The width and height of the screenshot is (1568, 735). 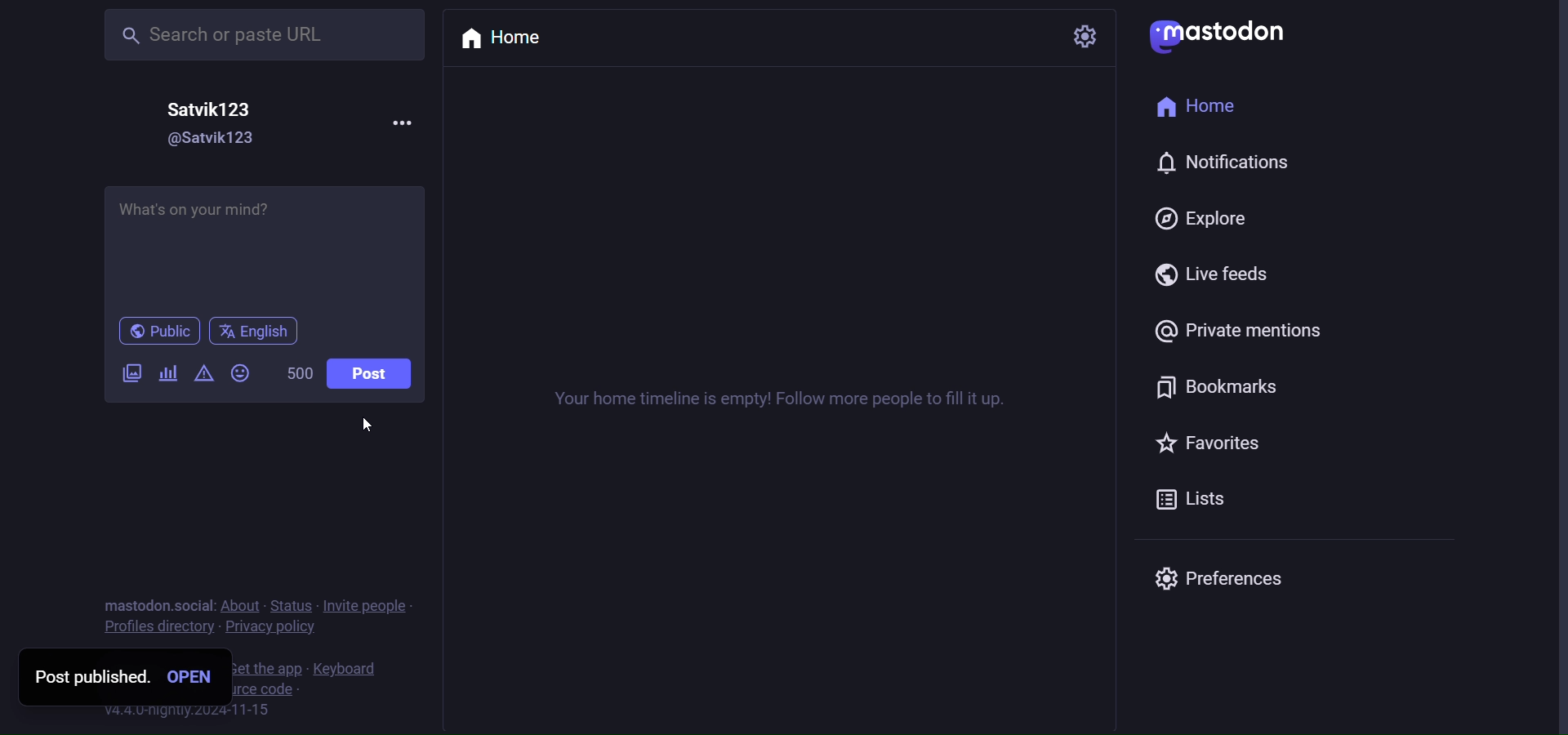 What do you see at coordinates (202, 375) in the screenshot?
I see `content warning` at bounding box center [202, 375].